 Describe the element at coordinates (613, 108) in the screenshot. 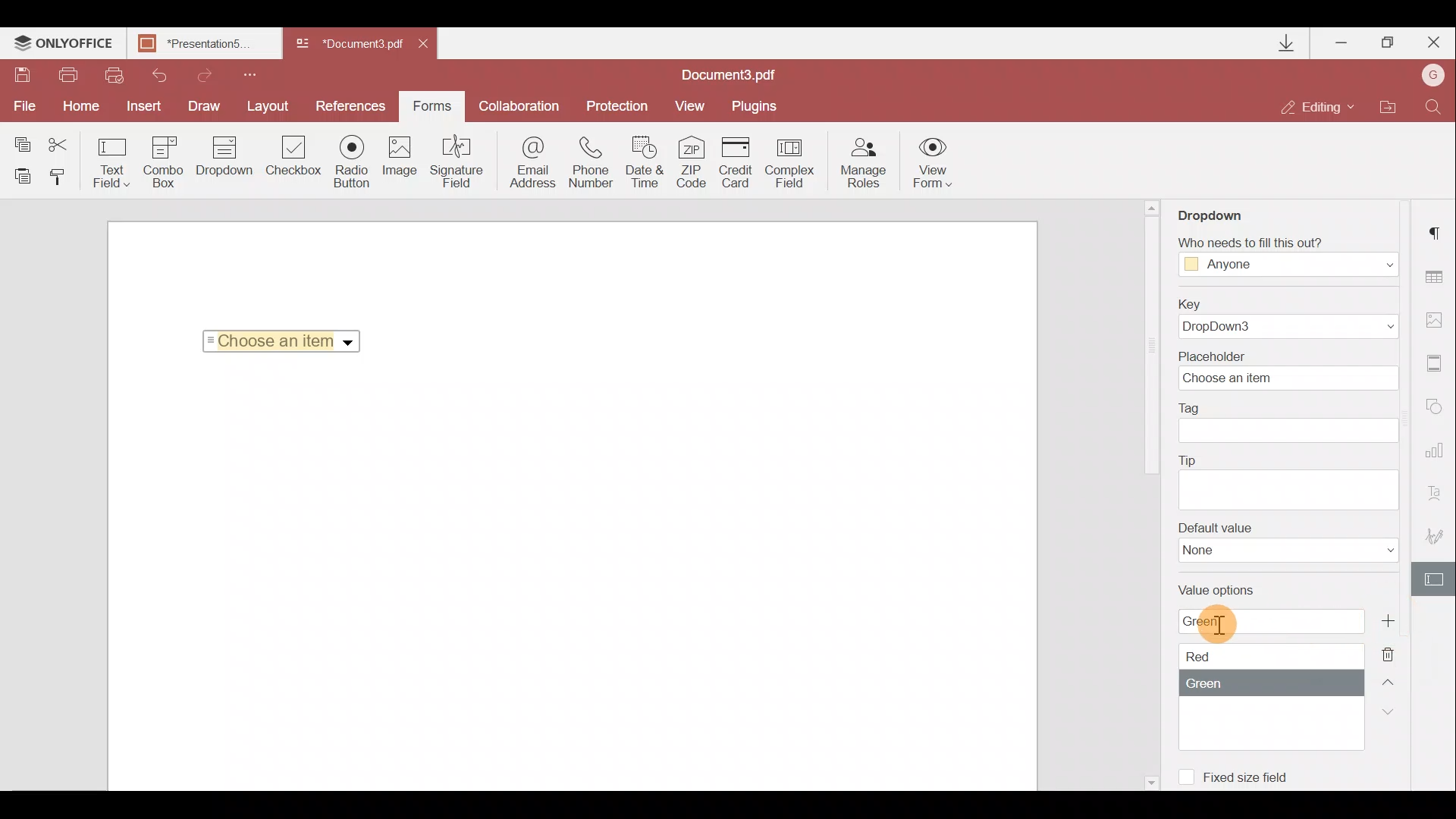

I see `Protection` at that location.